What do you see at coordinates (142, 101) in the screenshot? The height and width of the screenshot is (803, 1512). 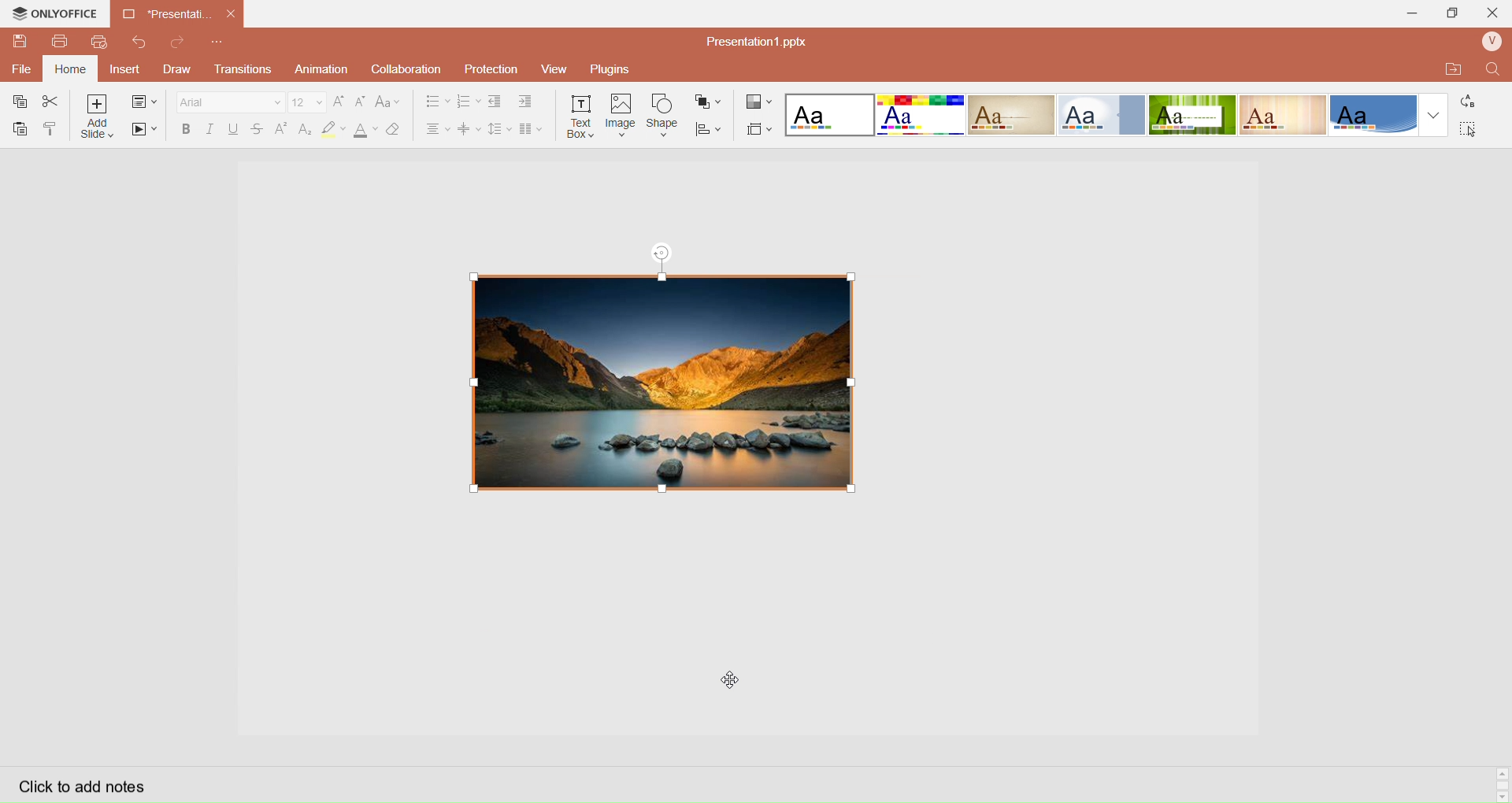 I see `change slide layout` at bounding box center [142, 101].